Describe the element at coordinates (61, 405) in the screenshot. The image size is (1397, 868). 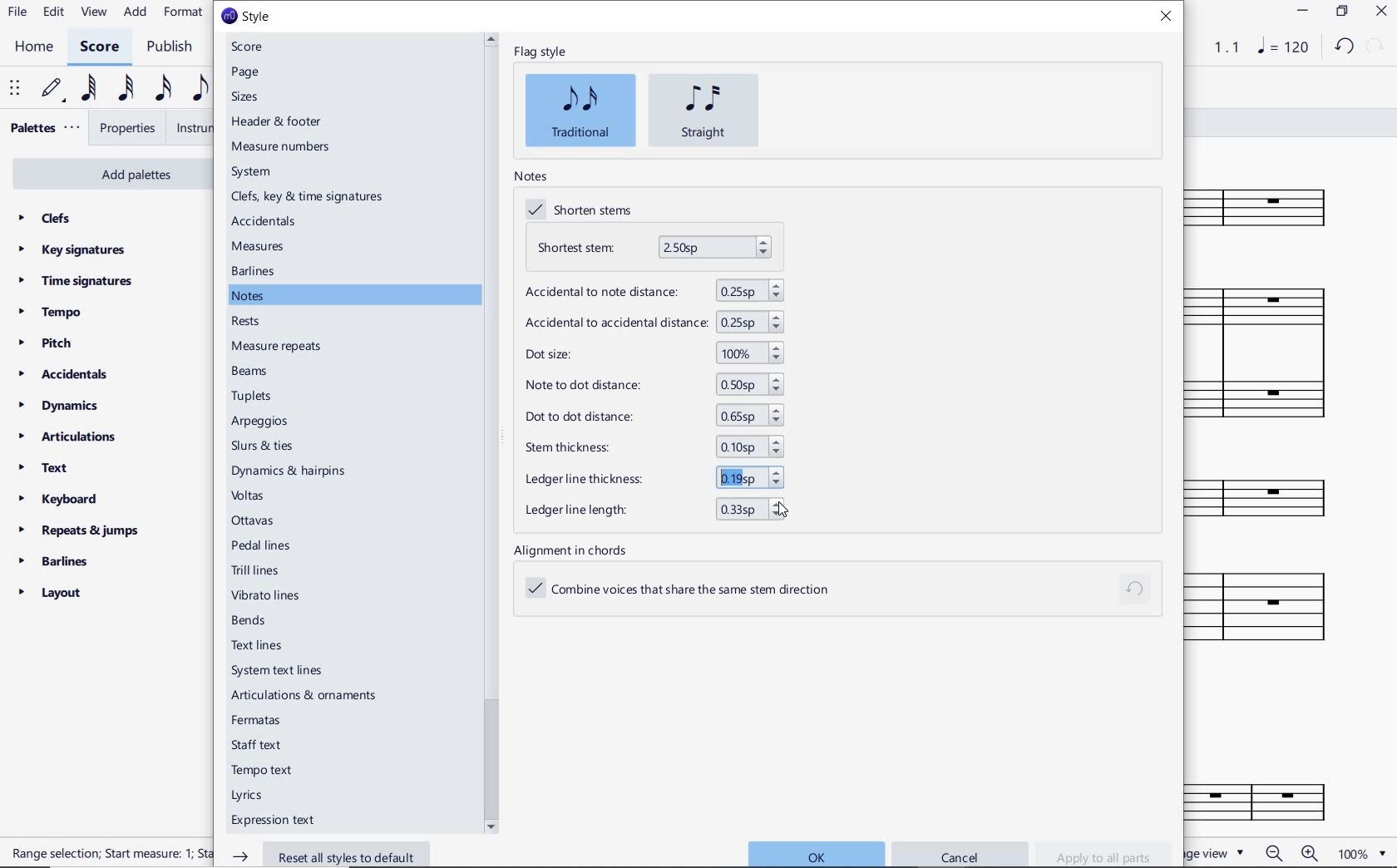
I see `dynamics` at that location.